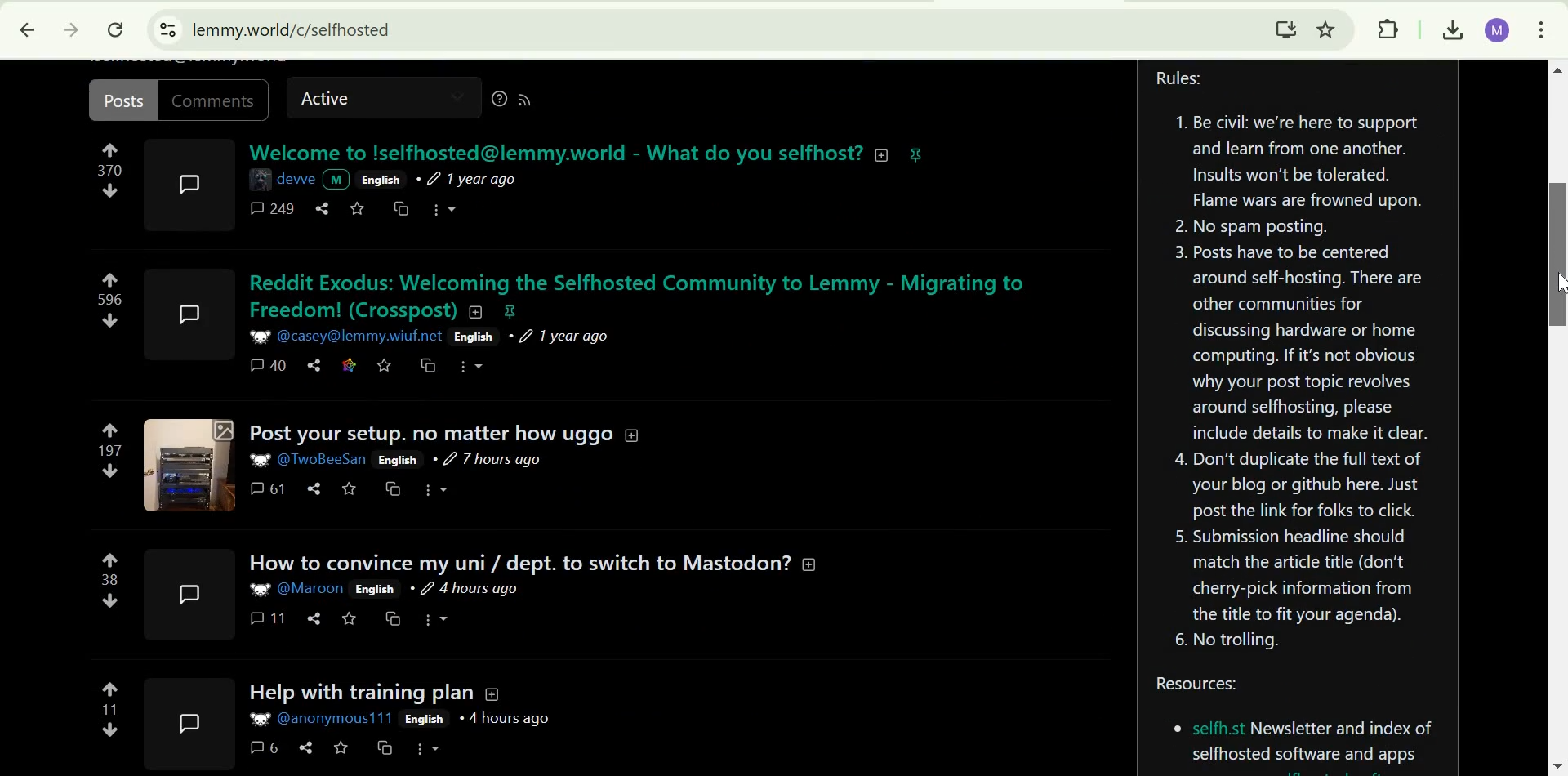  I want to click on numbers, so click(109, 171).